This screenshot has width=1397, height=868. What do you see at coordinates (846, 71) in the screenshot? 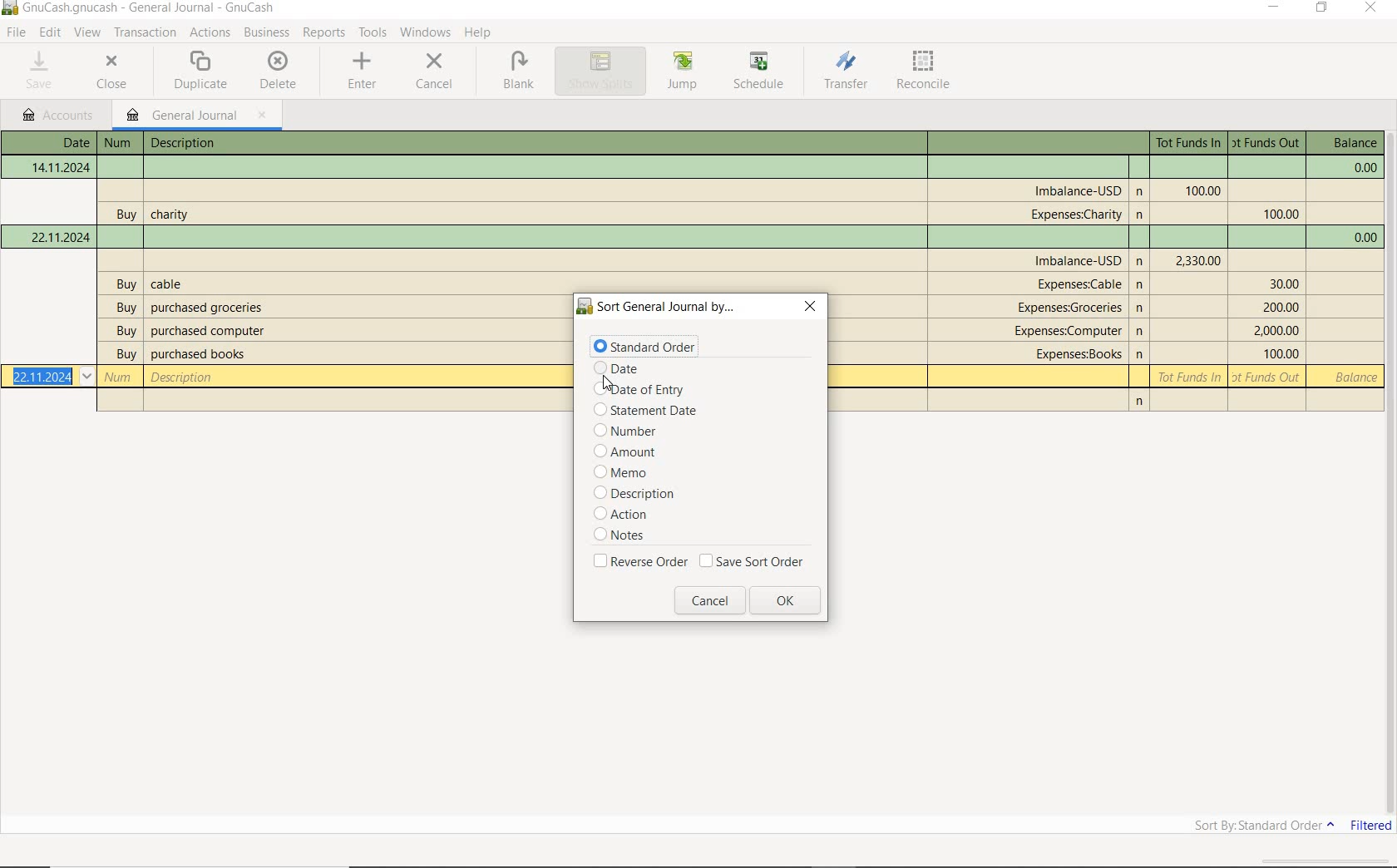
I see `TRANSFER` at bounding box center [846, 71].